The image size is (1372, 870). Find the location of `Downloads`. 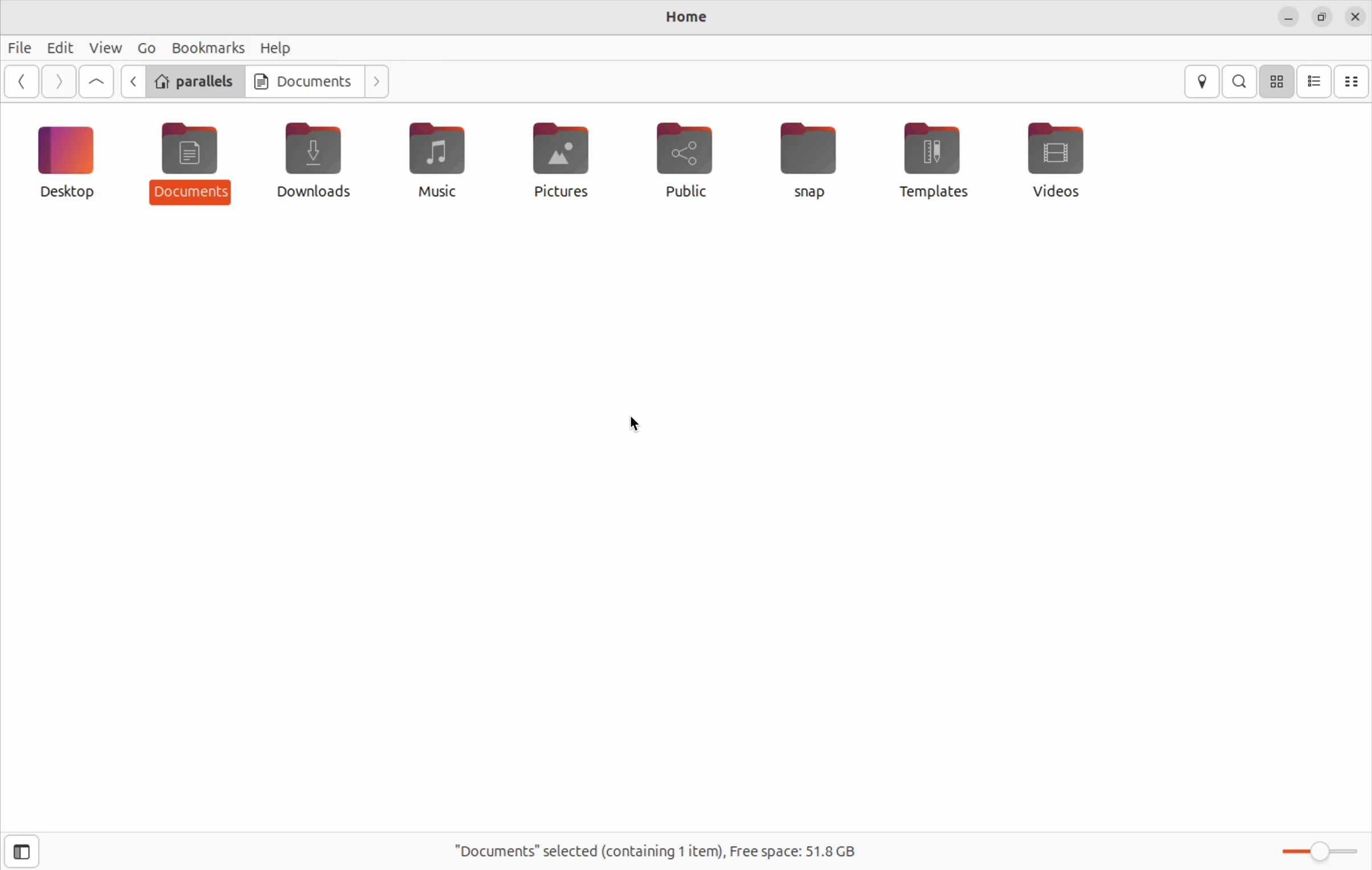

Downloads is located at coordinates (315, 162).